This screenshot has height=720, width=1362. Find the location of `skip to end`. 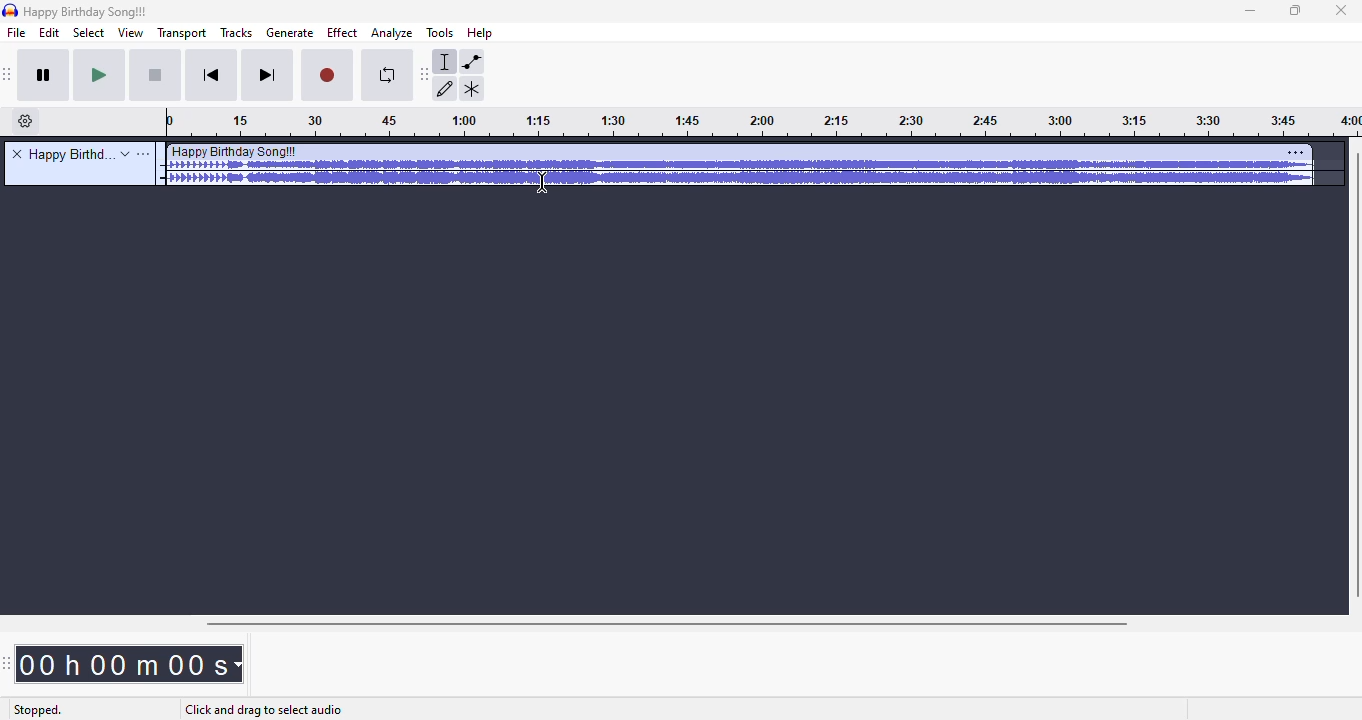

skip to end is located at coordinates (268, 76).